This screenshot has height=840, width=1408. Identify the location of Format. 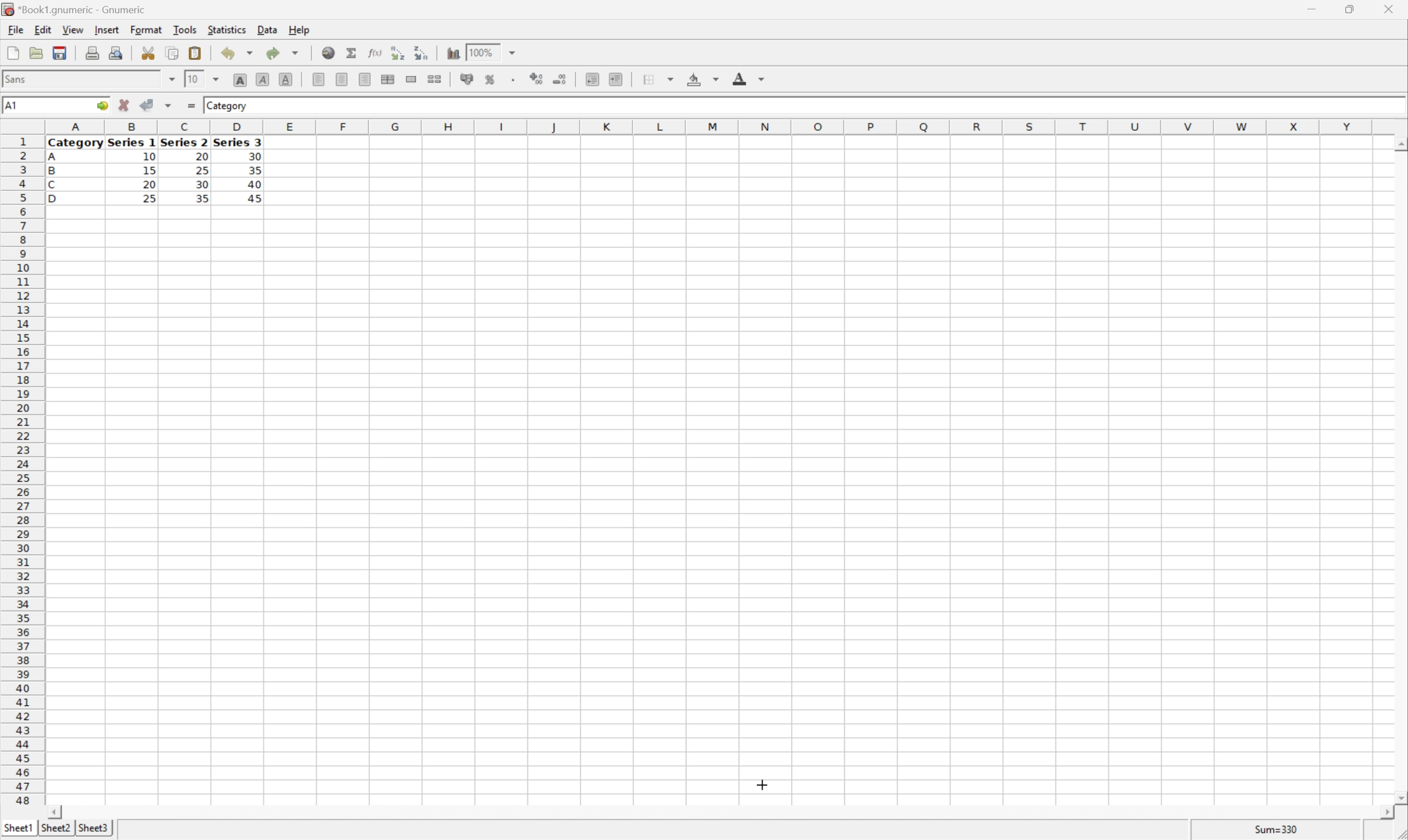
(146, 29).